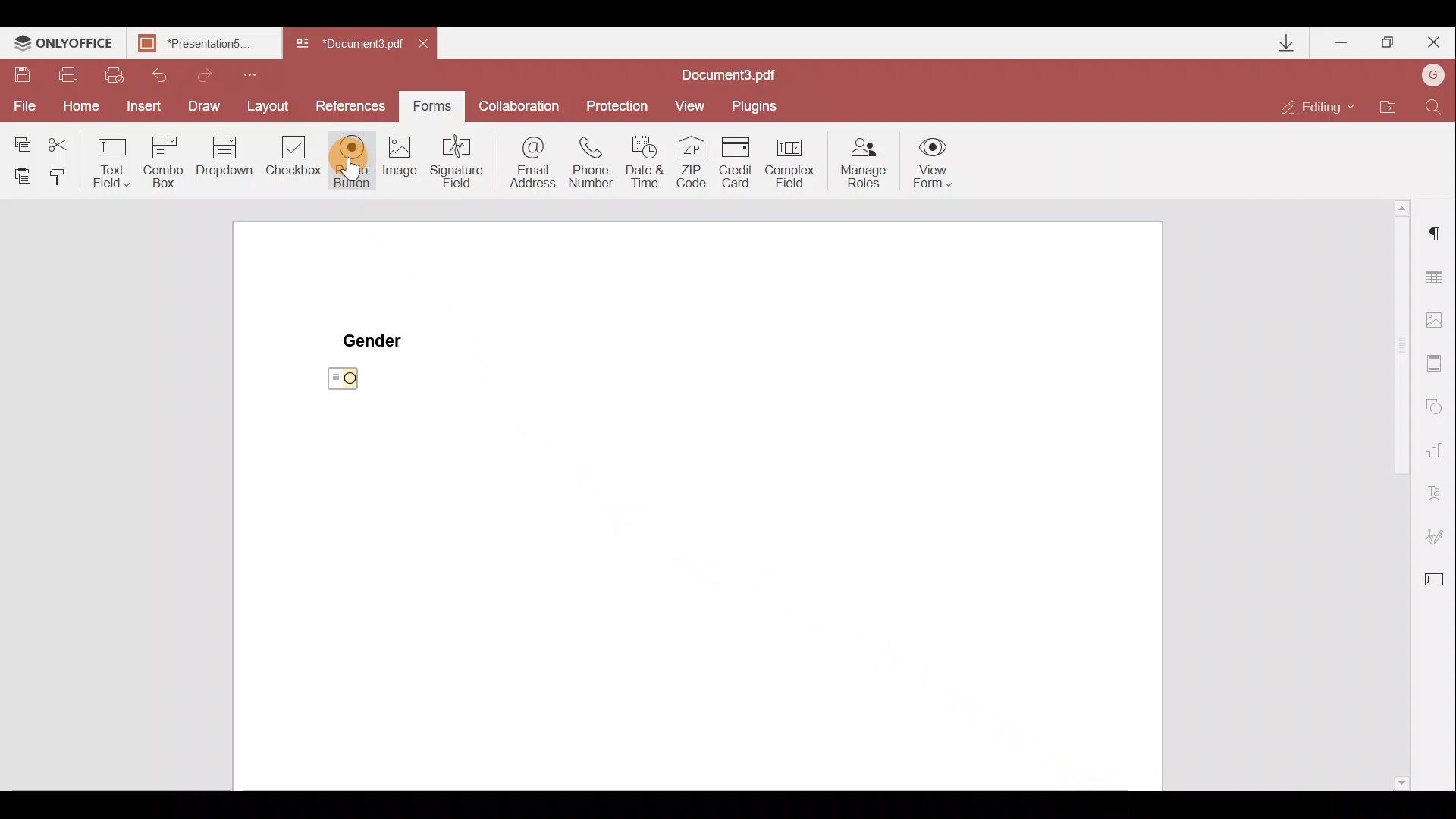  What do you see at coordinates (1278, 41) in the screenshot?
I see `Downloads` at bounding box center [1278, 41].